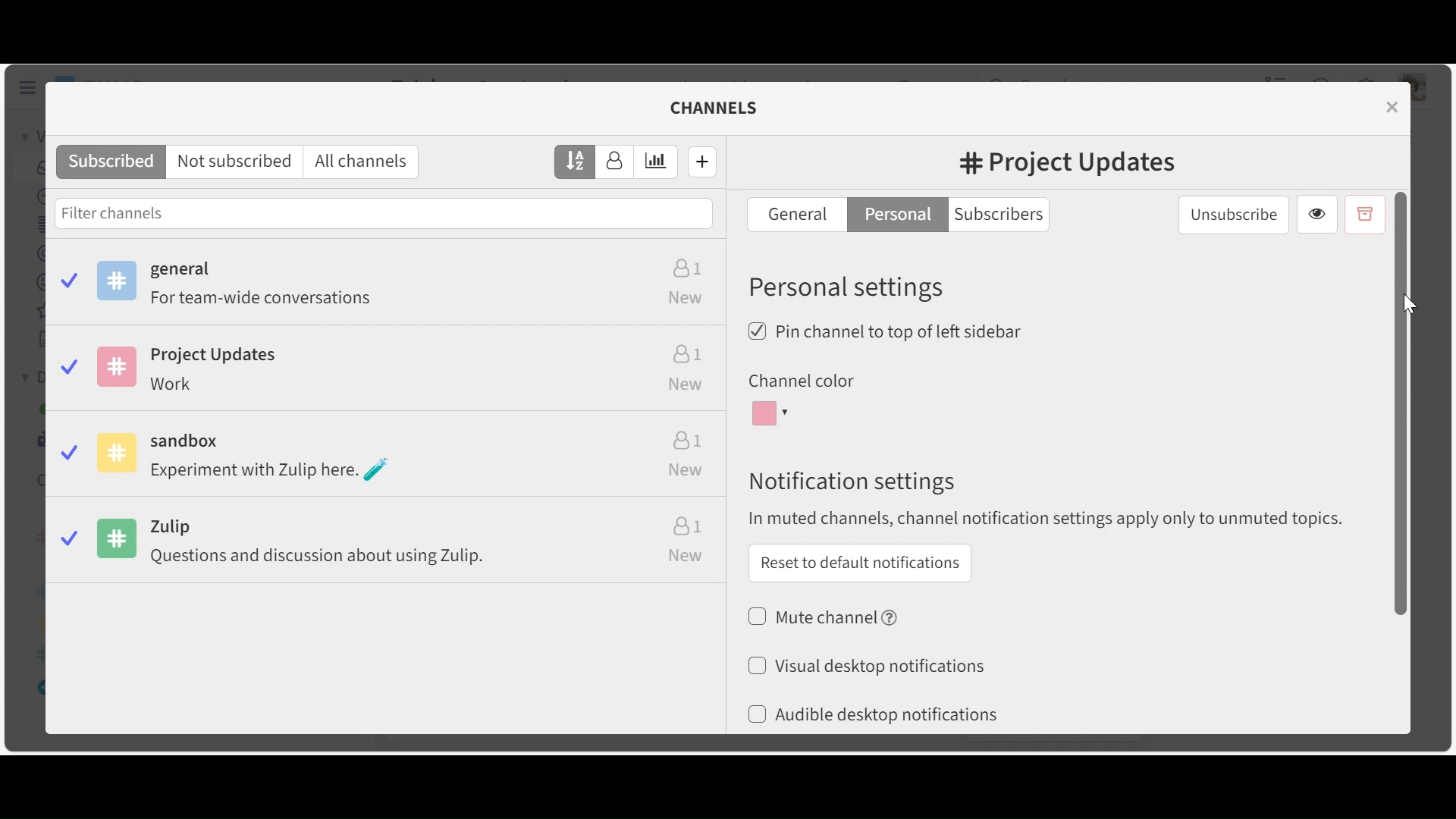 This screenshot has height=819, width=1456. Describe the element at coordinates (703, 161) in the screenshot. I see `Create new channel` at that location.